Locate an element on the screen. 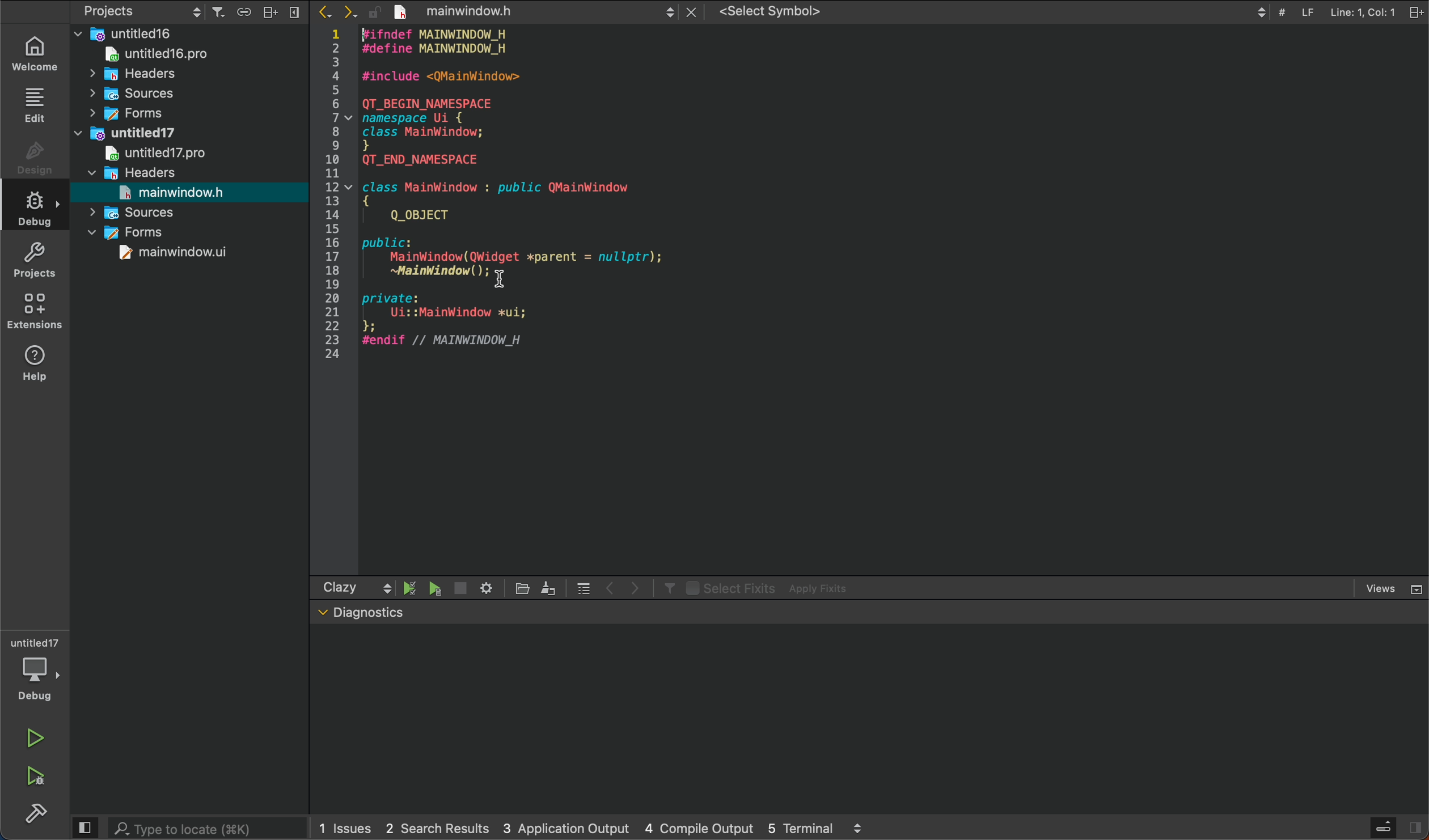 This screenshot has width=1429, height=840. split tab is located at coordinates (1418, 11).